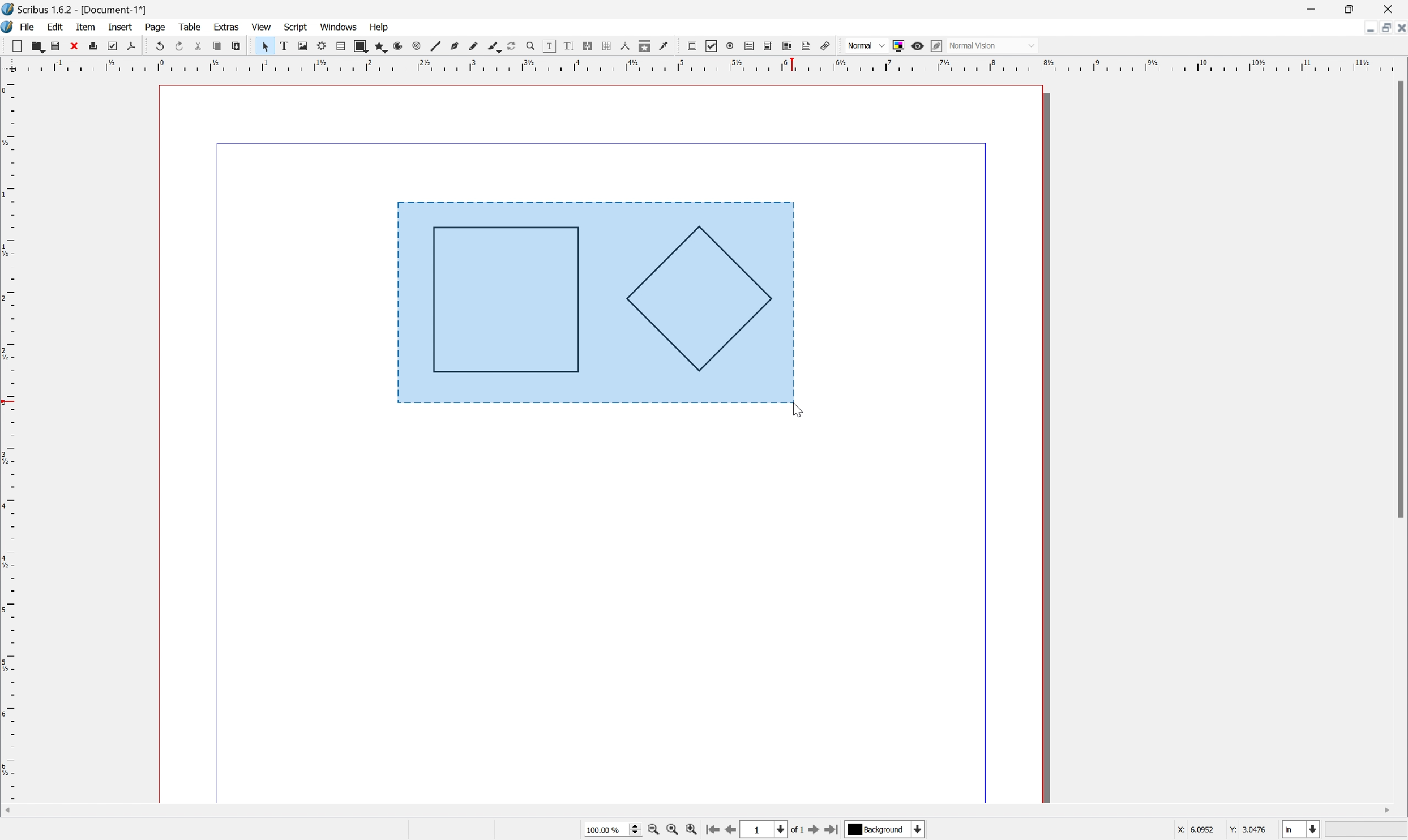 The image size is (1408, 840). I want to click on Select current layer, so click(889, 829).